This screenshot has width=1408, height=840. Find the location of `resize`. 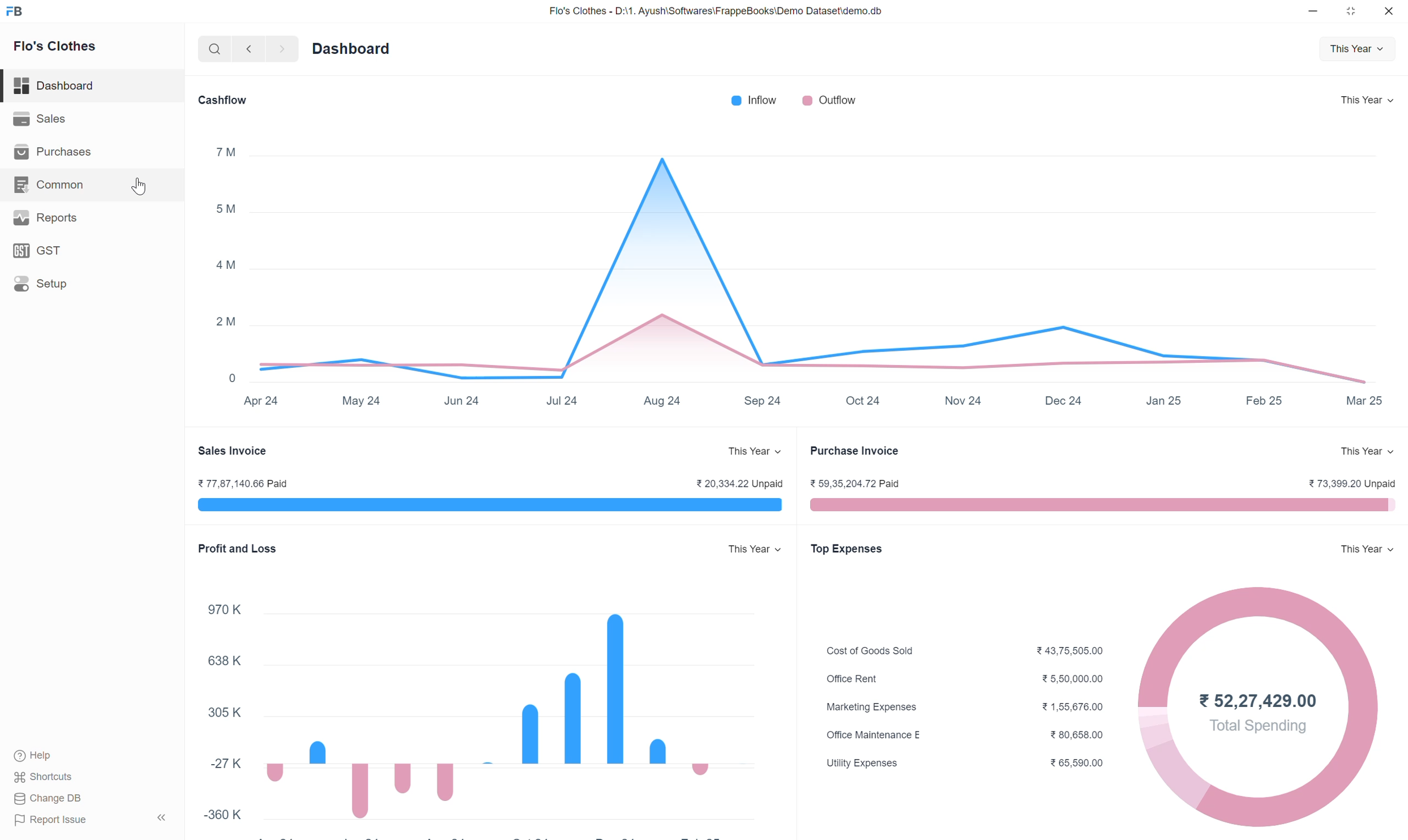

resize is located at coordinates (1354, 11).